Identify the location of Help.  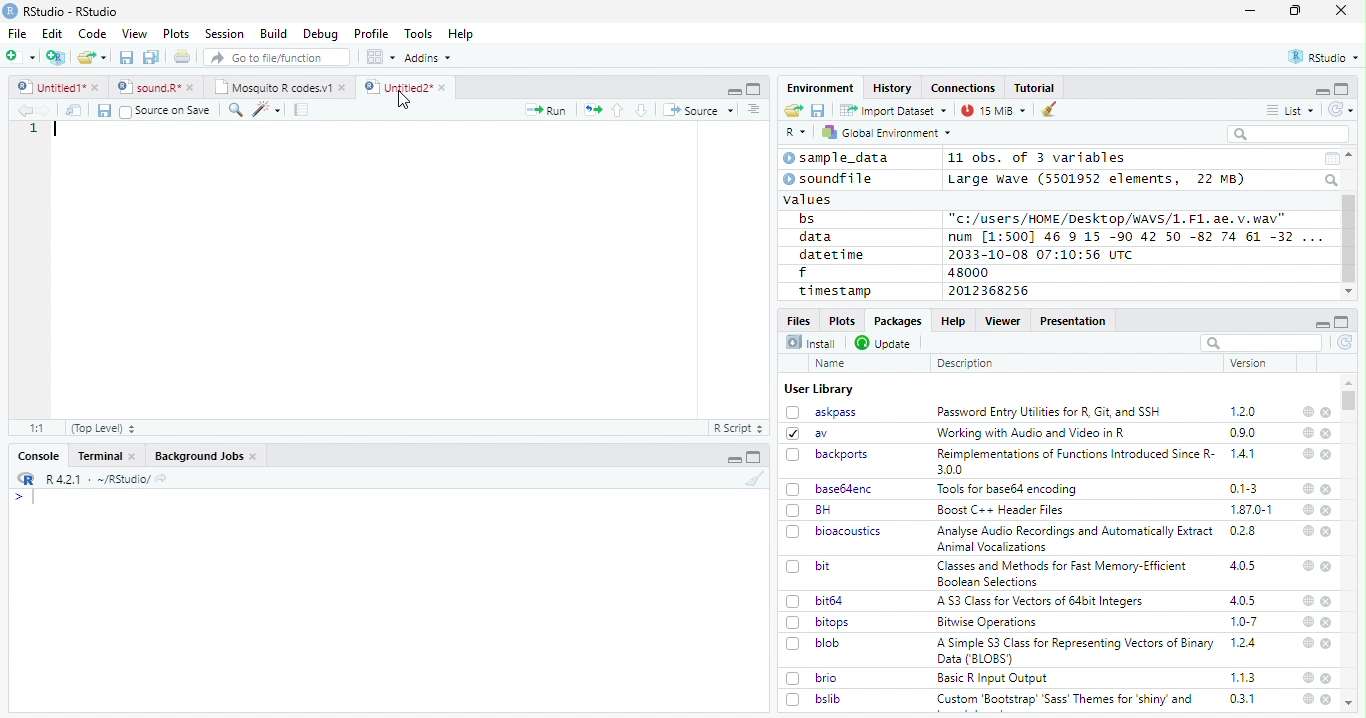
(461, 35).